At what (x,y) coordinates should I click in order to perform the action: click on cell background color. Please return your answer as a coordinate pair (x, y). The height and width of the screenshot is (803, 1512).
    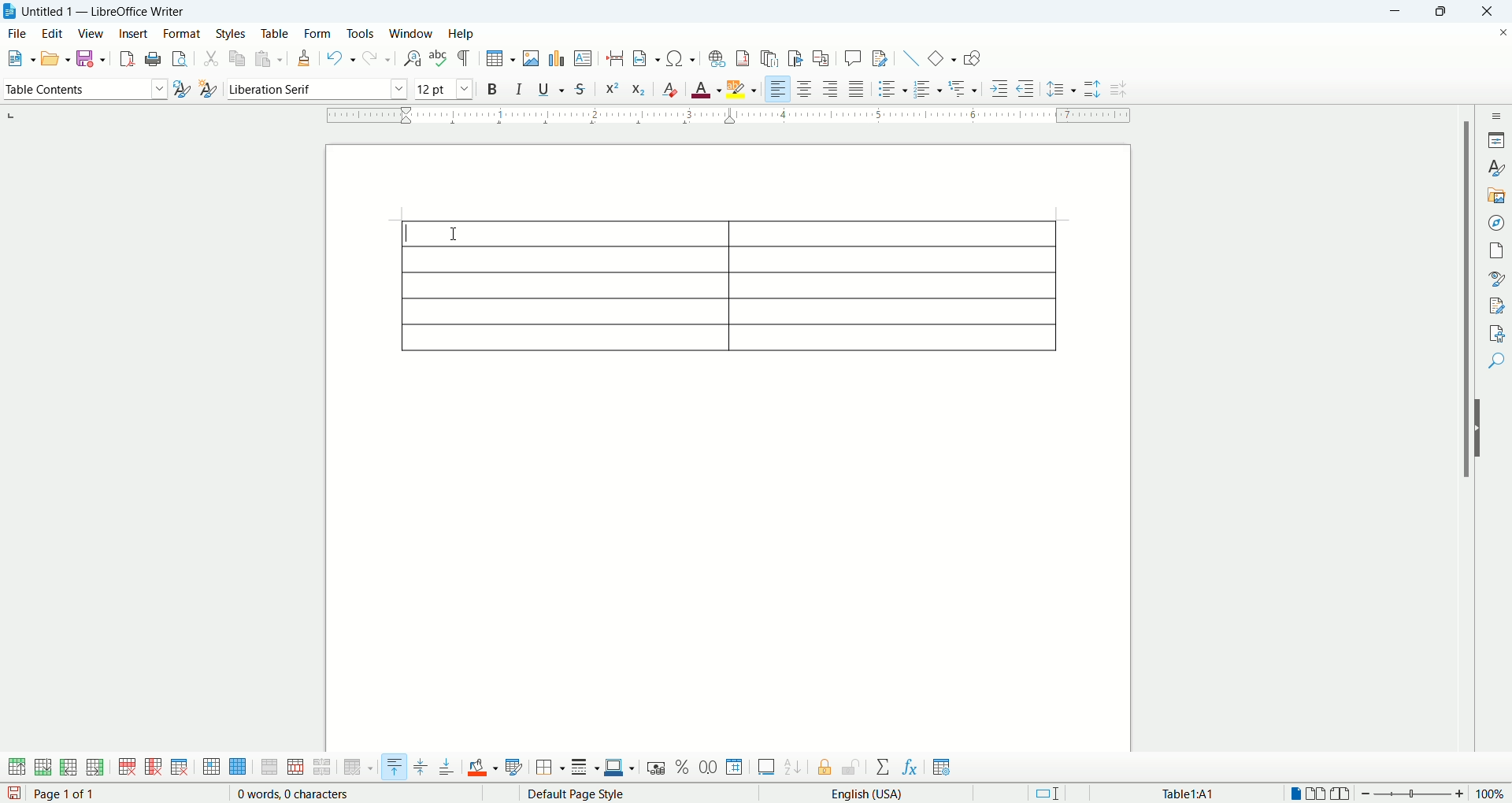
    Looking at the image, I should click on (484, 768).